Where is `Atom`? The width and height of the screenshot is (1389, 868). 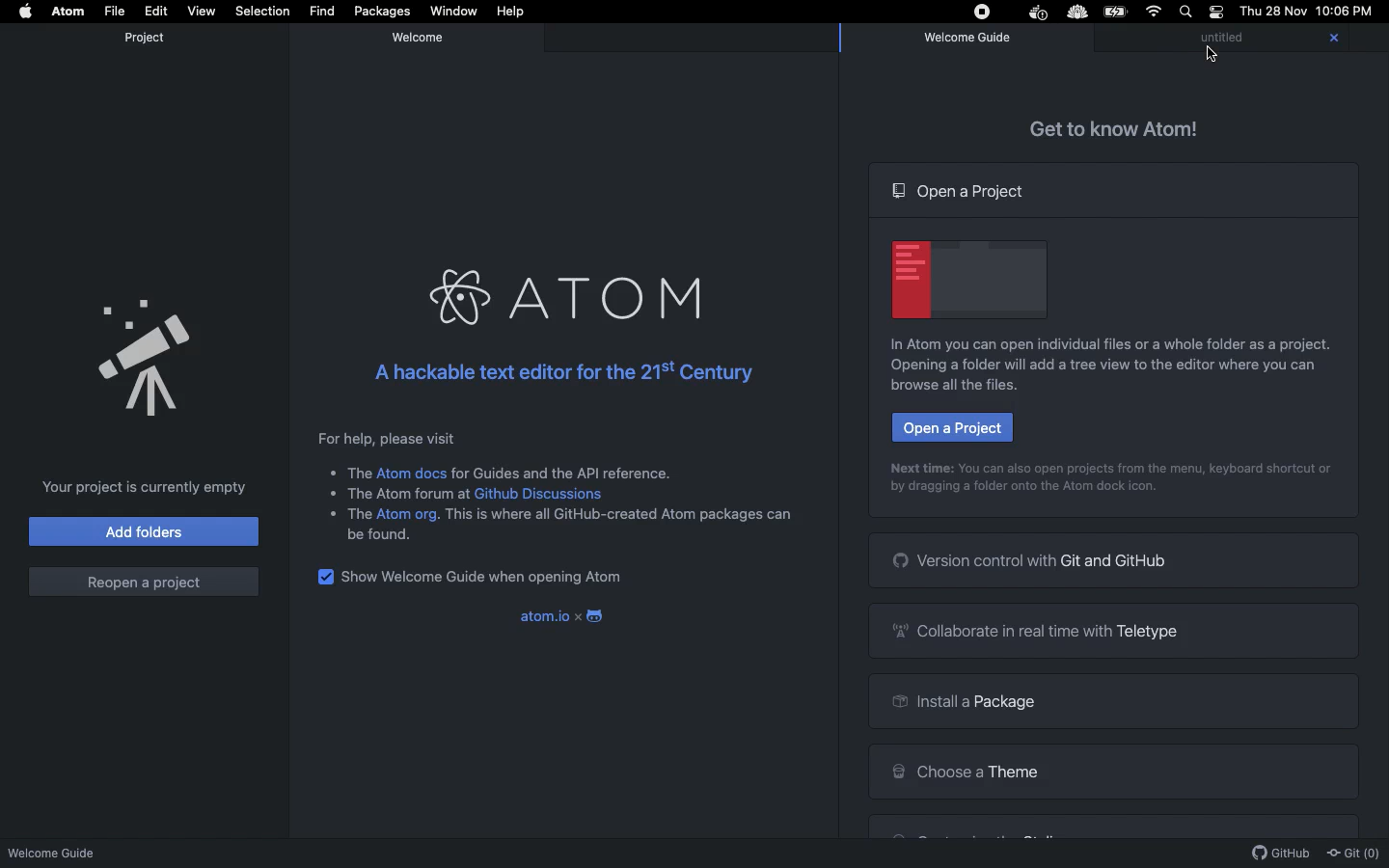
Atom is located at coordinates (571, 295).